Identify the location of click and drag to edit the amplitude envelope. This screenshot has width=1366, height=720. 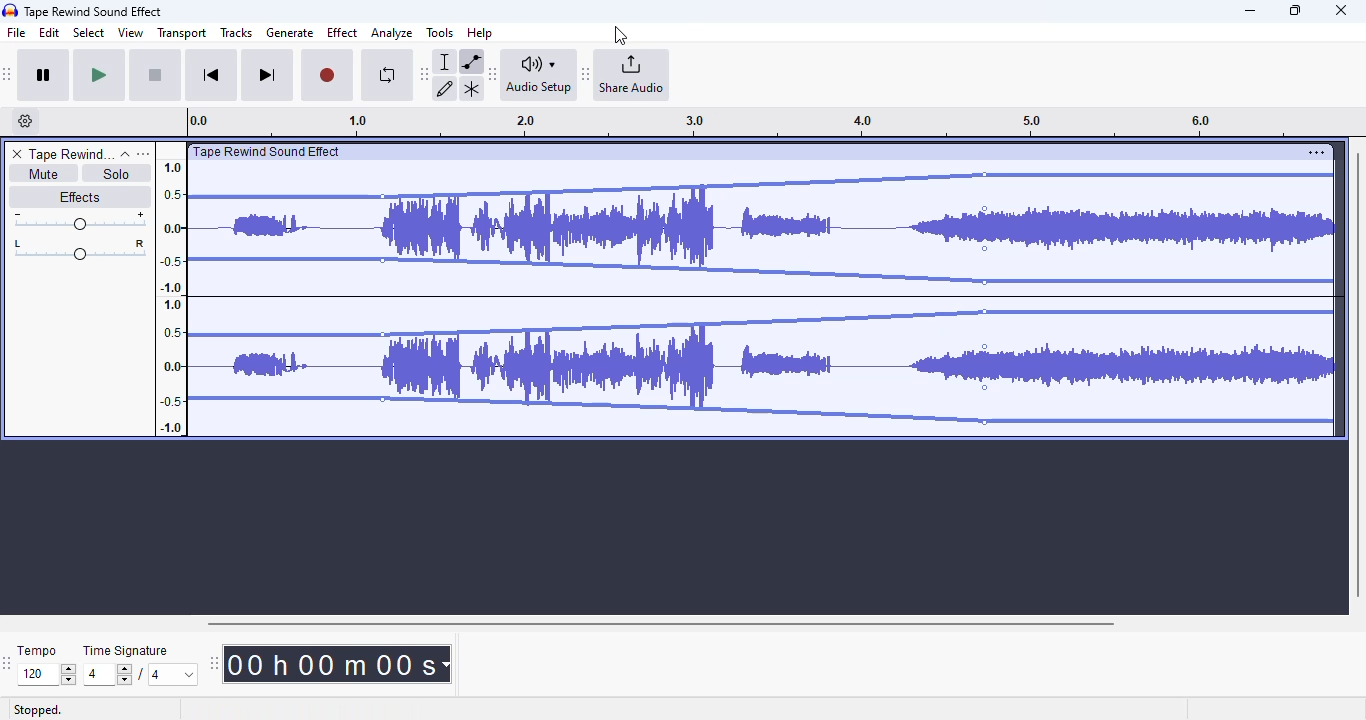
(306, 710).